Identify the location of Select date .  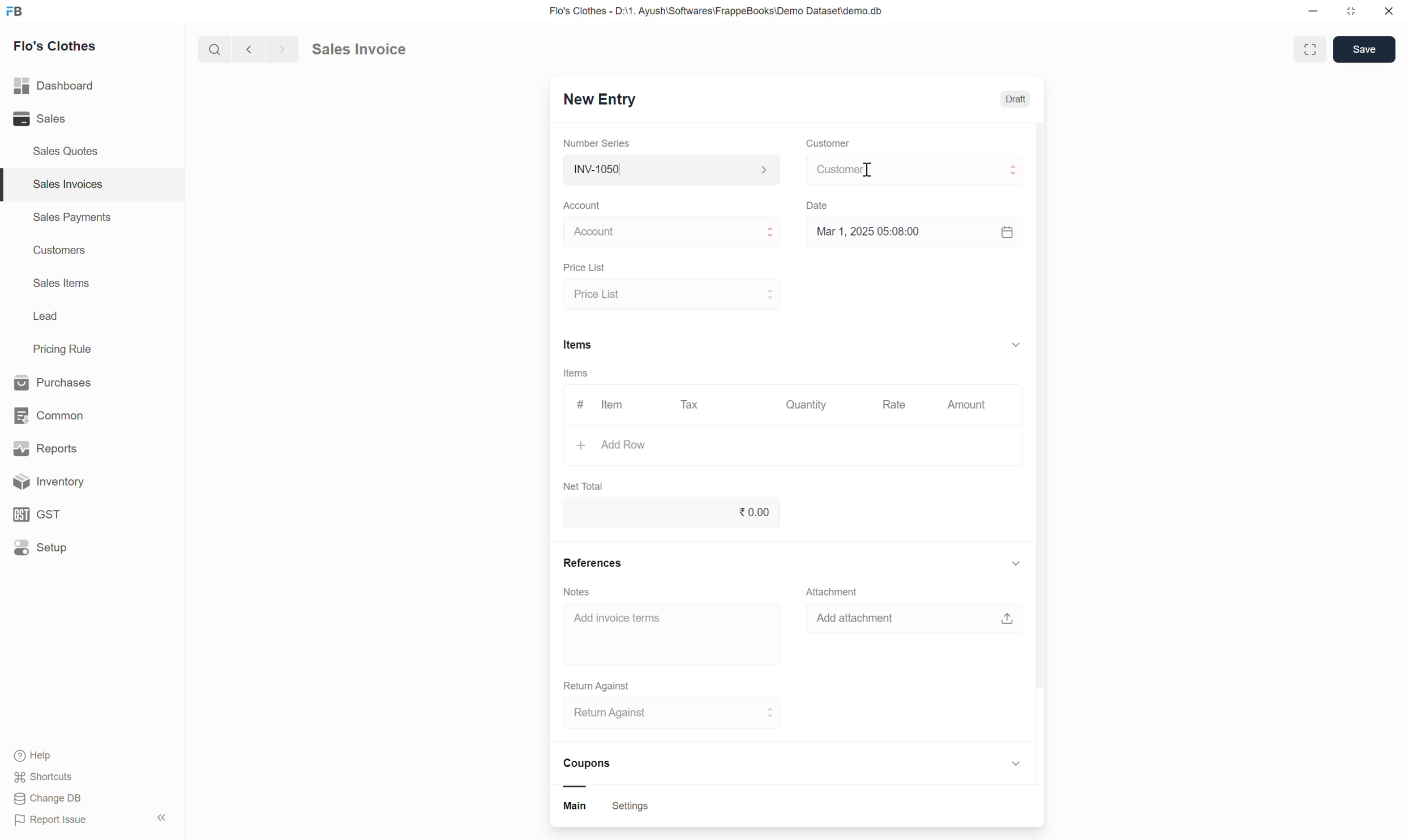
(914, 236).